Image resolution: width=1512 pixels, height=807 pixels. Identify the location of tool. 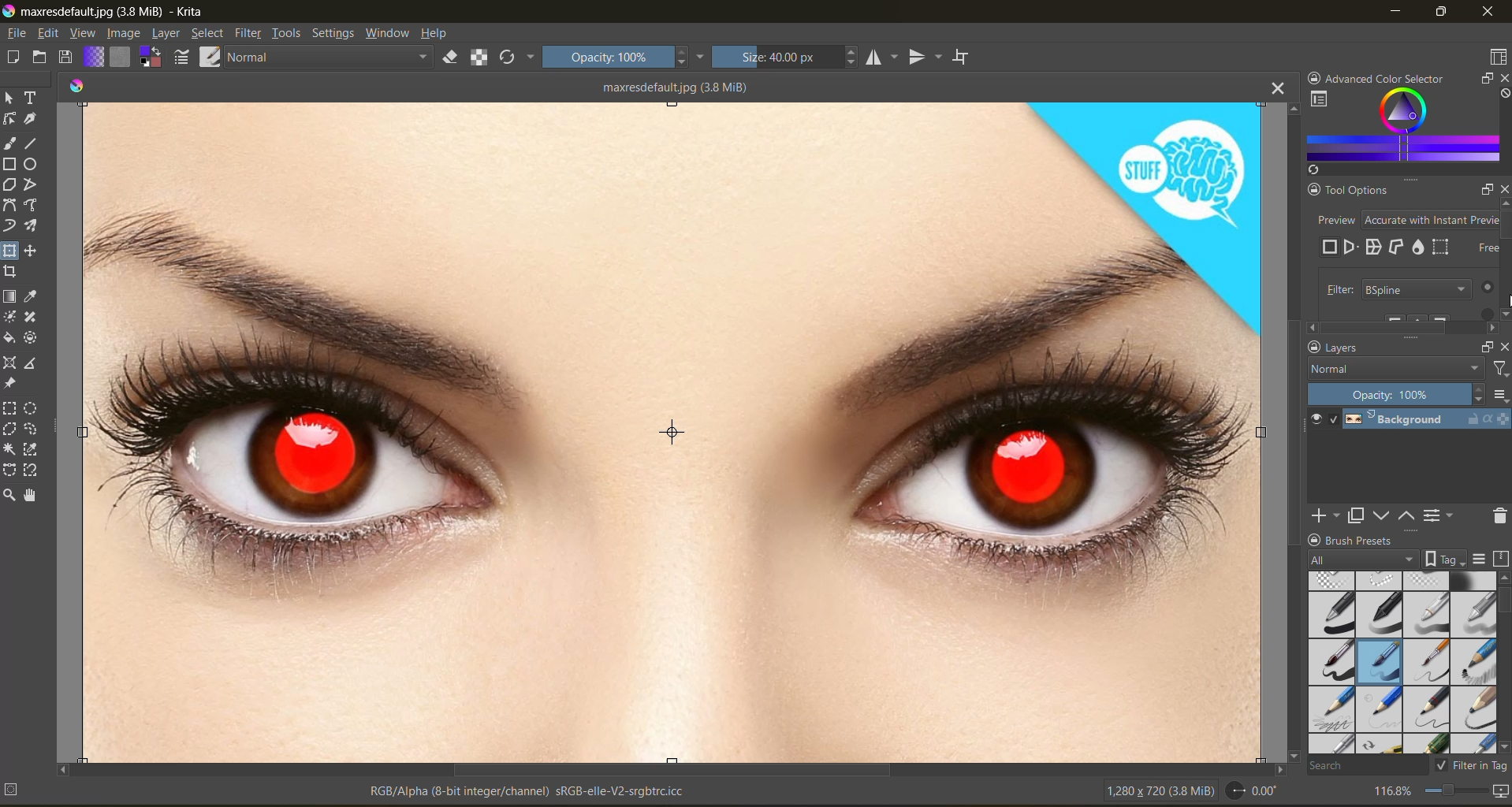
(35, 225).